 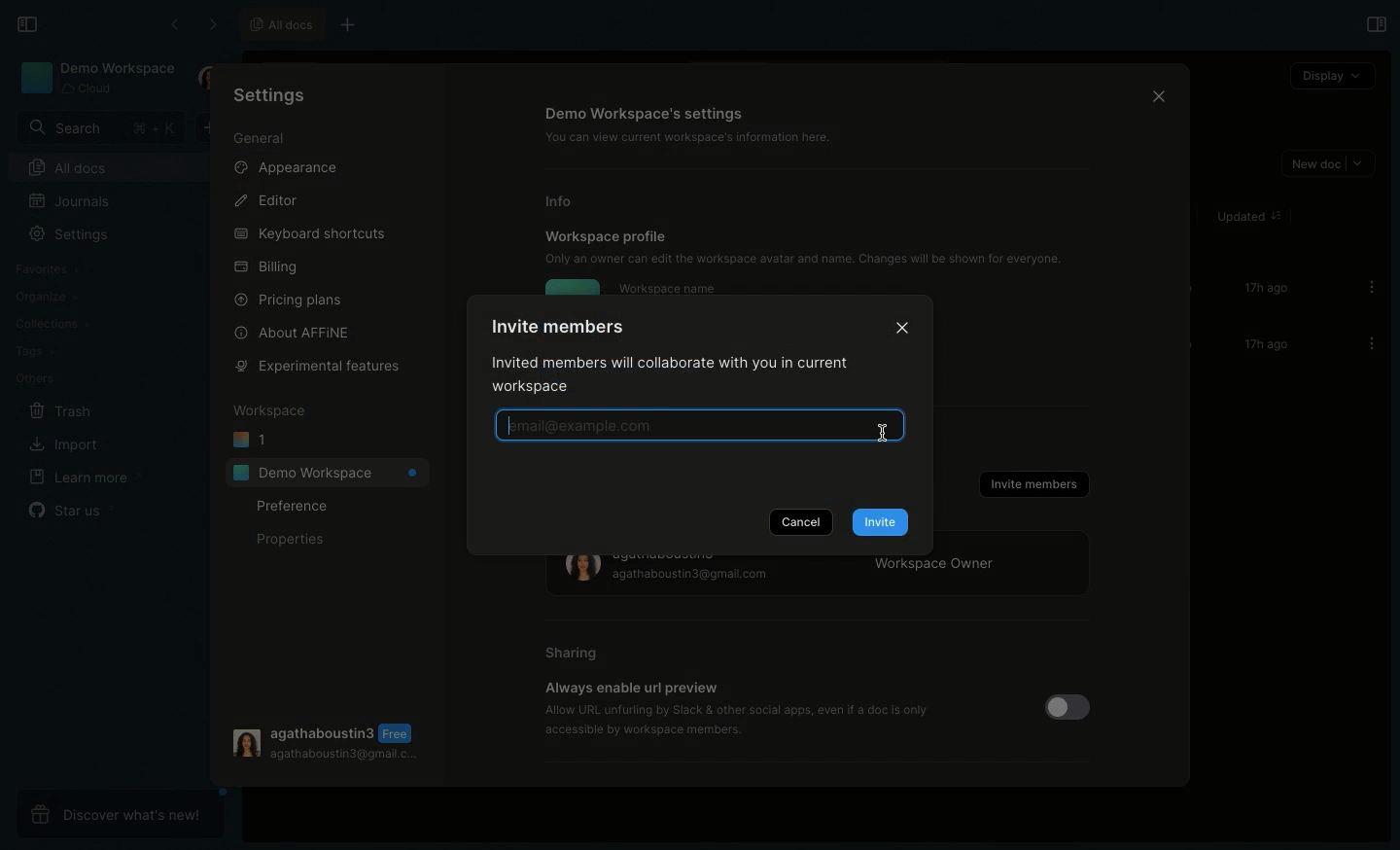 I want to click on Invite members, so click(x=1032, y=484).